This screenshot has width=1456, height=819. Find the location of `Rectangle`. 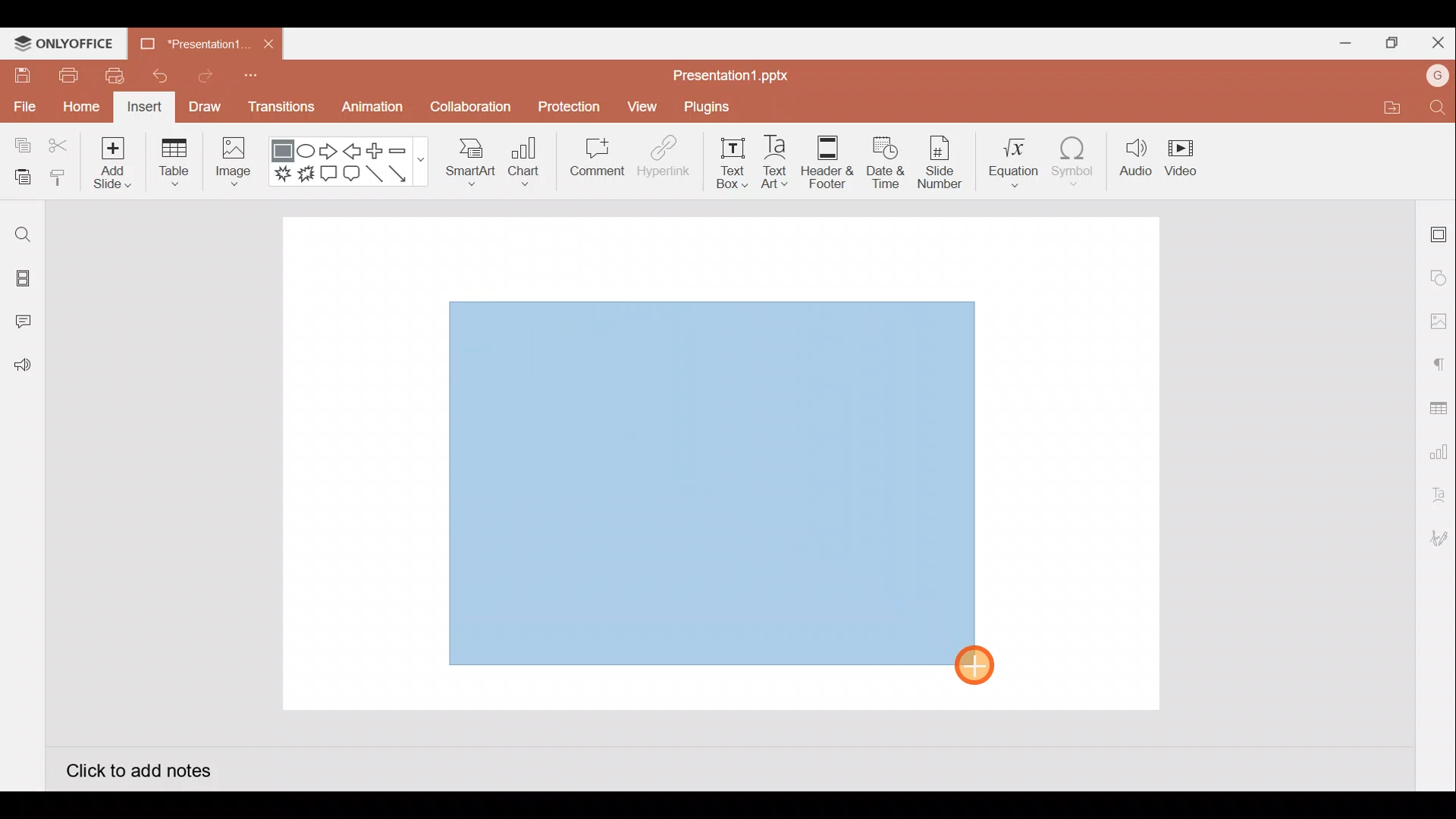

Rectangle is located at coordinates (284, 152).